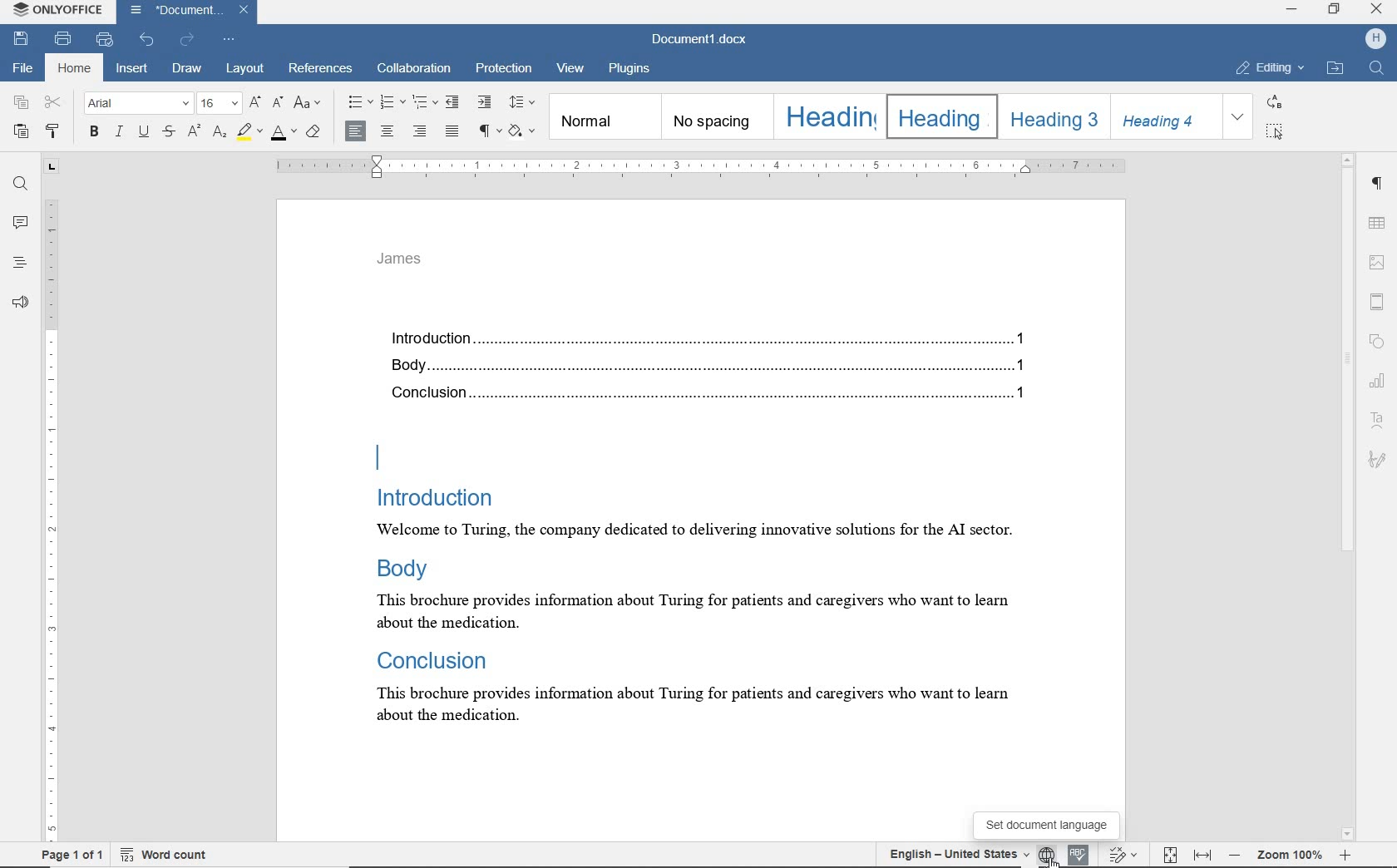 This screenshot has height=868, width=1397. What do you see at coordinates (1239, 117) in the screenshot?
I see `EXPAND` at bounding box center [1239, 117].